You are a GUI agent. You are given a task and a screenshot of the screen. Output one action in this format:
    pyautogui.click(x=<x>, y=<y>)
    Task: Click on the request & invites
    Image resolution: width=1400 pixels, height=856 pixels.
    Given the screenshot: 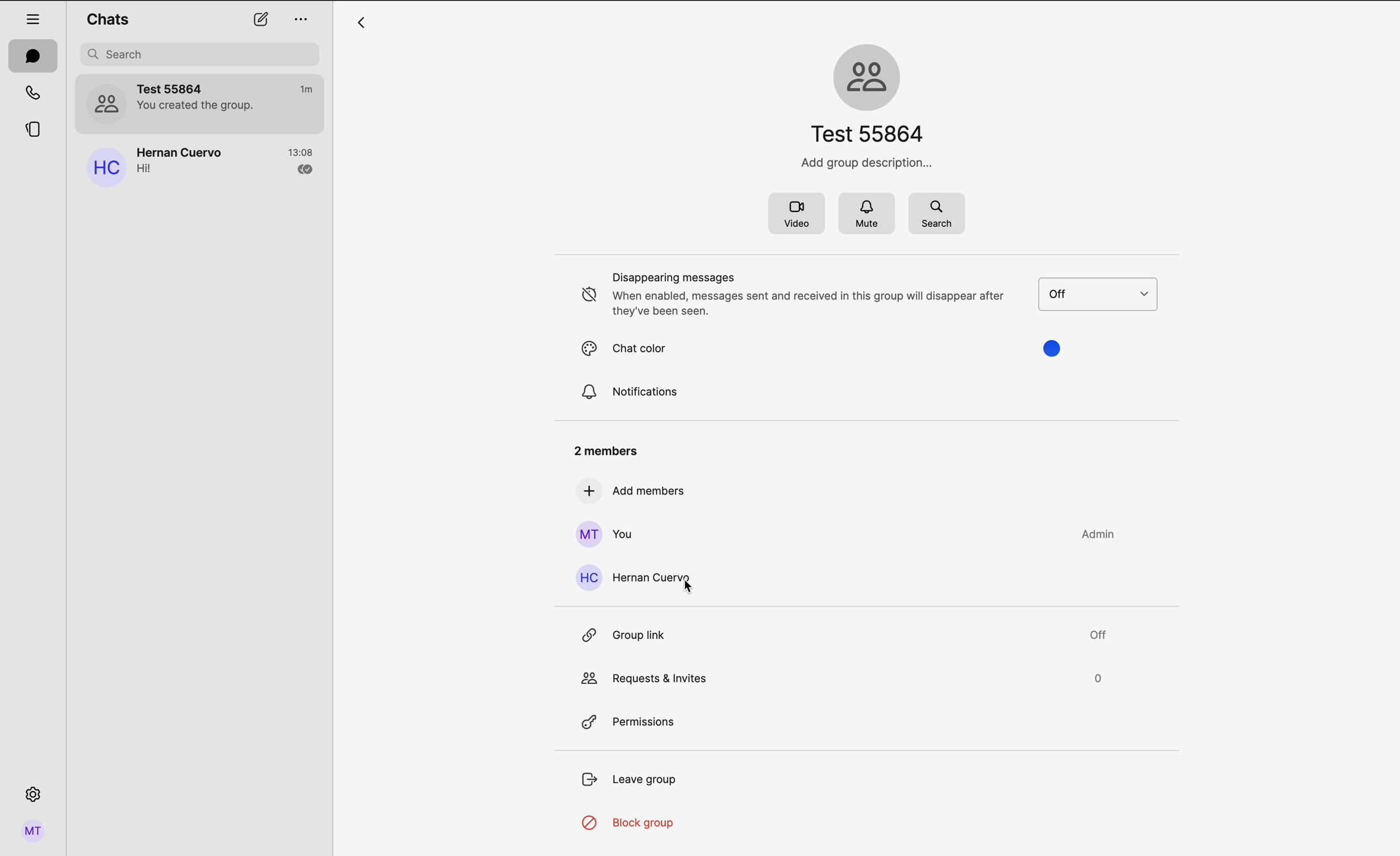 What is the action you would take?
    pyautogui.click(x=840, y=678)
    